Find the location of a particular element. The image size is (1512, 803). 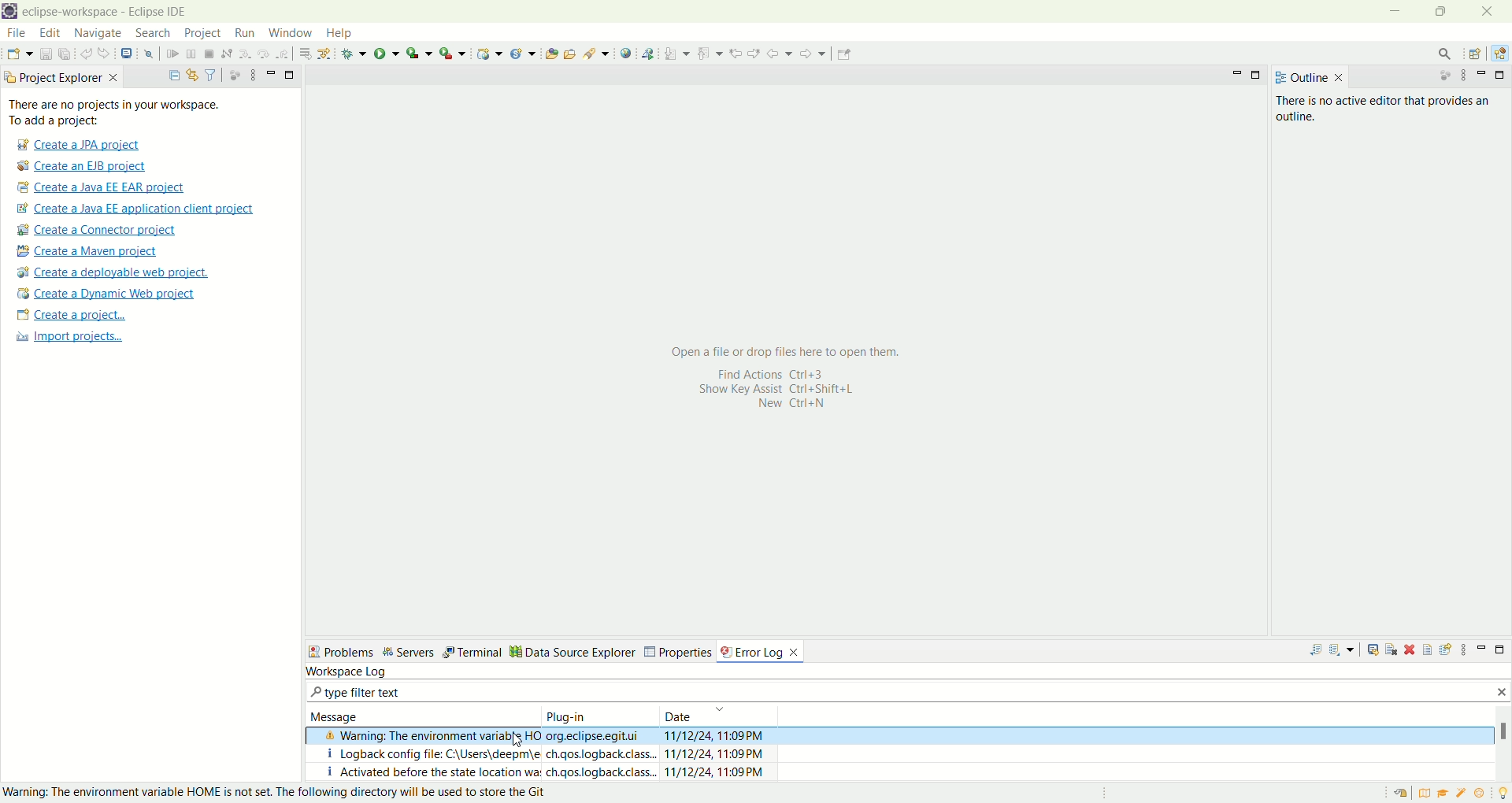

navigate is located at coordinates (102, 33).